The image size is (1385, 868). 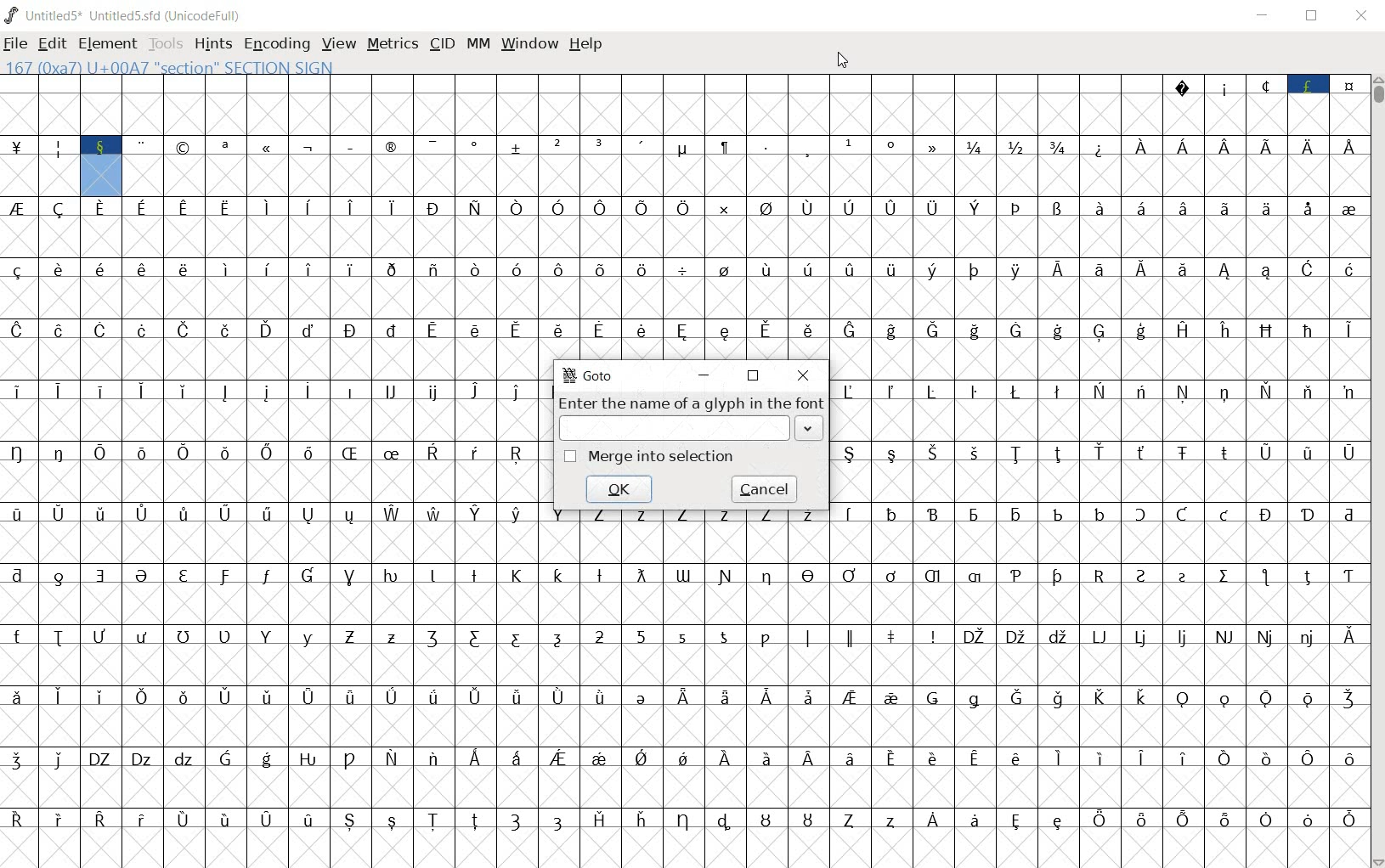 I want to click on close, so click(x=805, y=375).